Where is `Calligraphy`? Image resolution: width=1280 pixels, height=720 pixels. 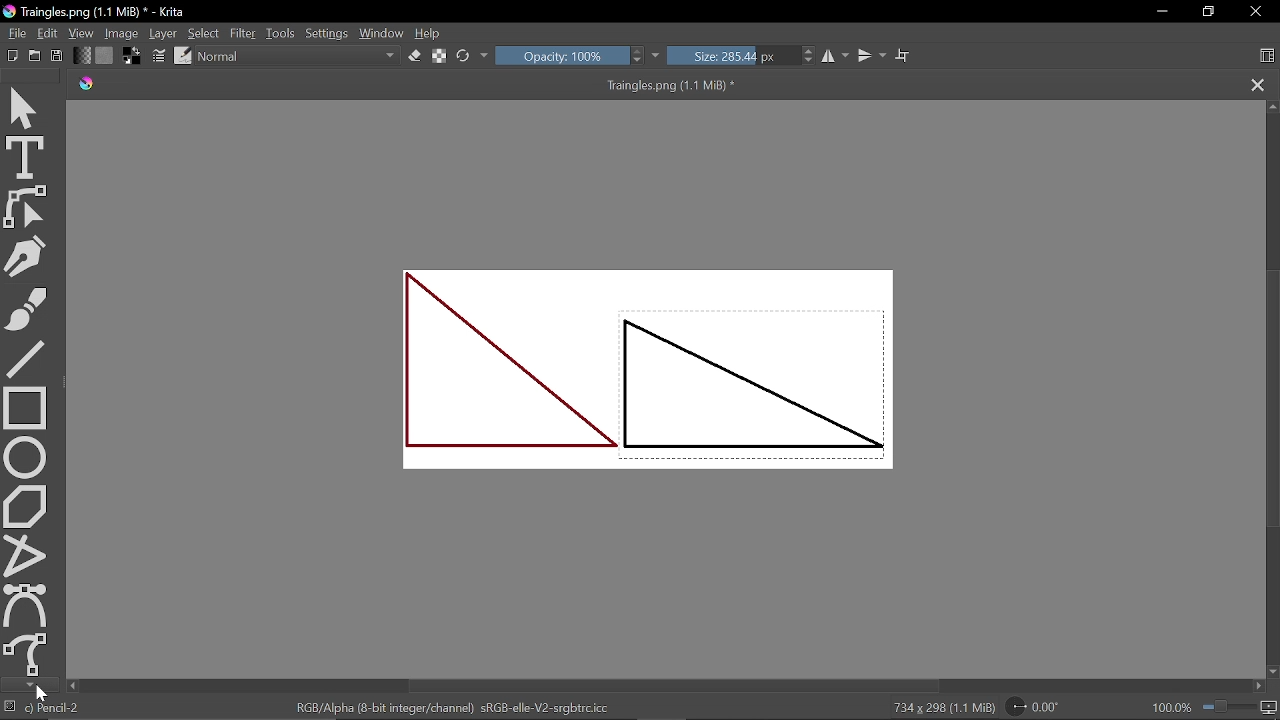
Calligraphy is located at coordinates (29, 255).